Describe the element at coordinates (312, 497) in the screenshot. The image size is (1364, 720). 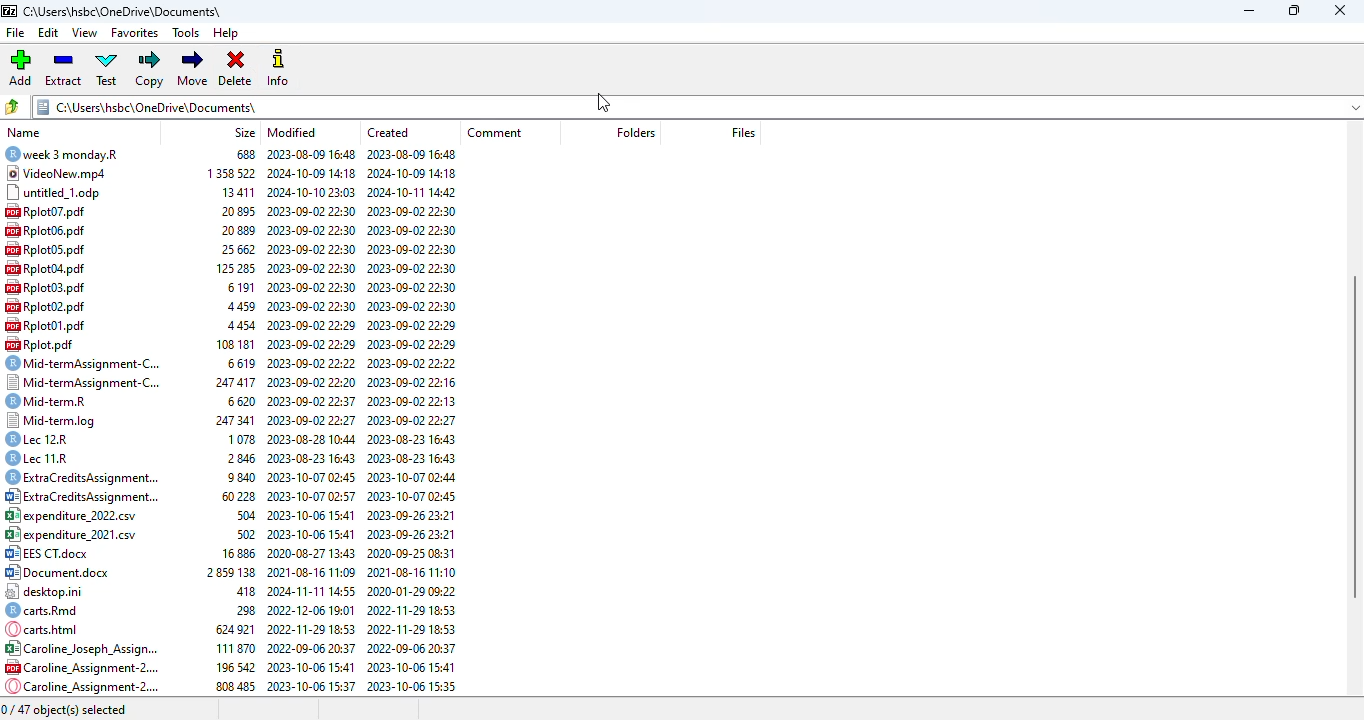
I see `2023-10-07 02:57` at that location.